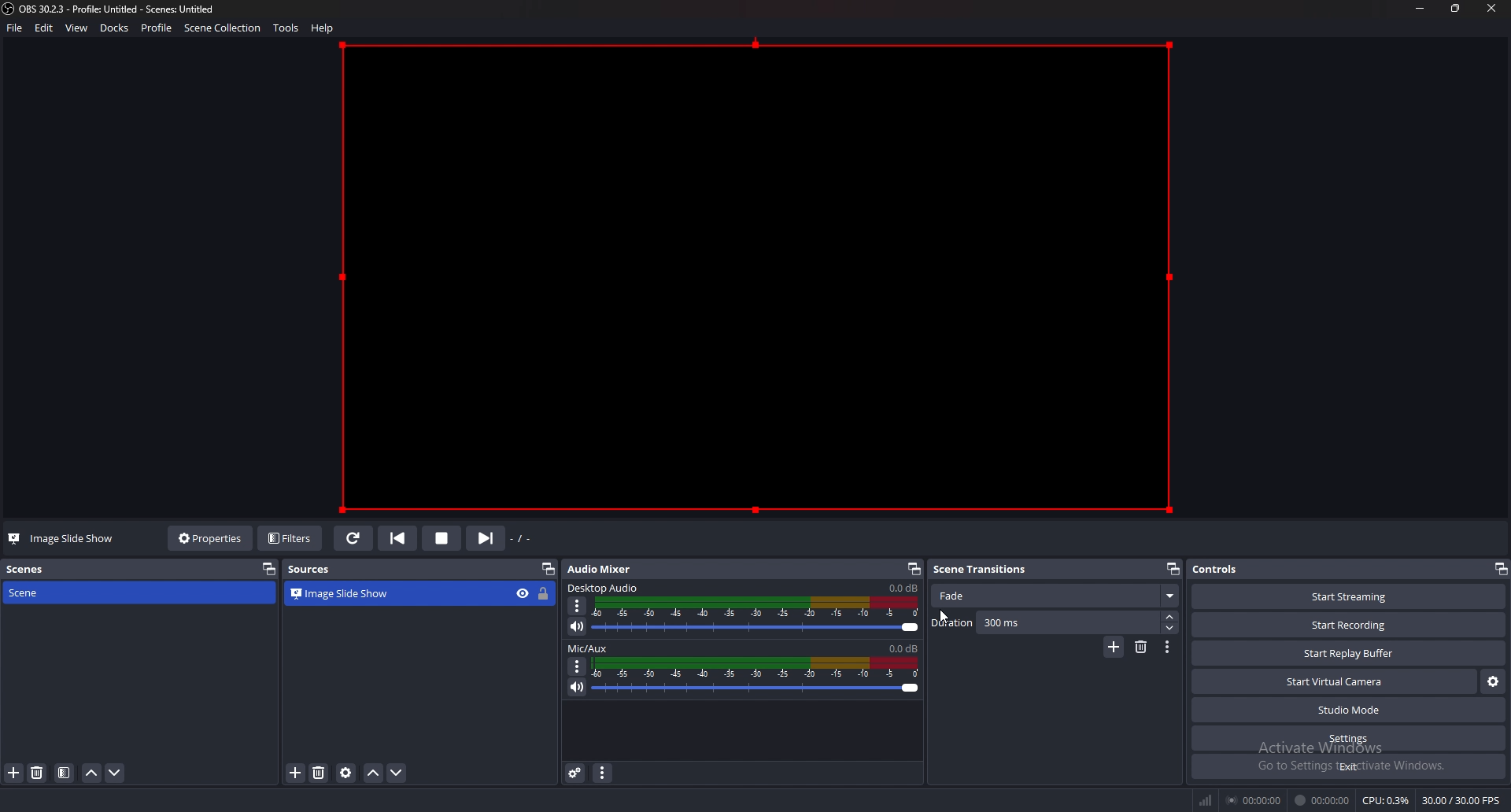  What do you see at coordinates (604, 588) in the screenshot?
I see `desktop audio` at bounding box center [604, 588].